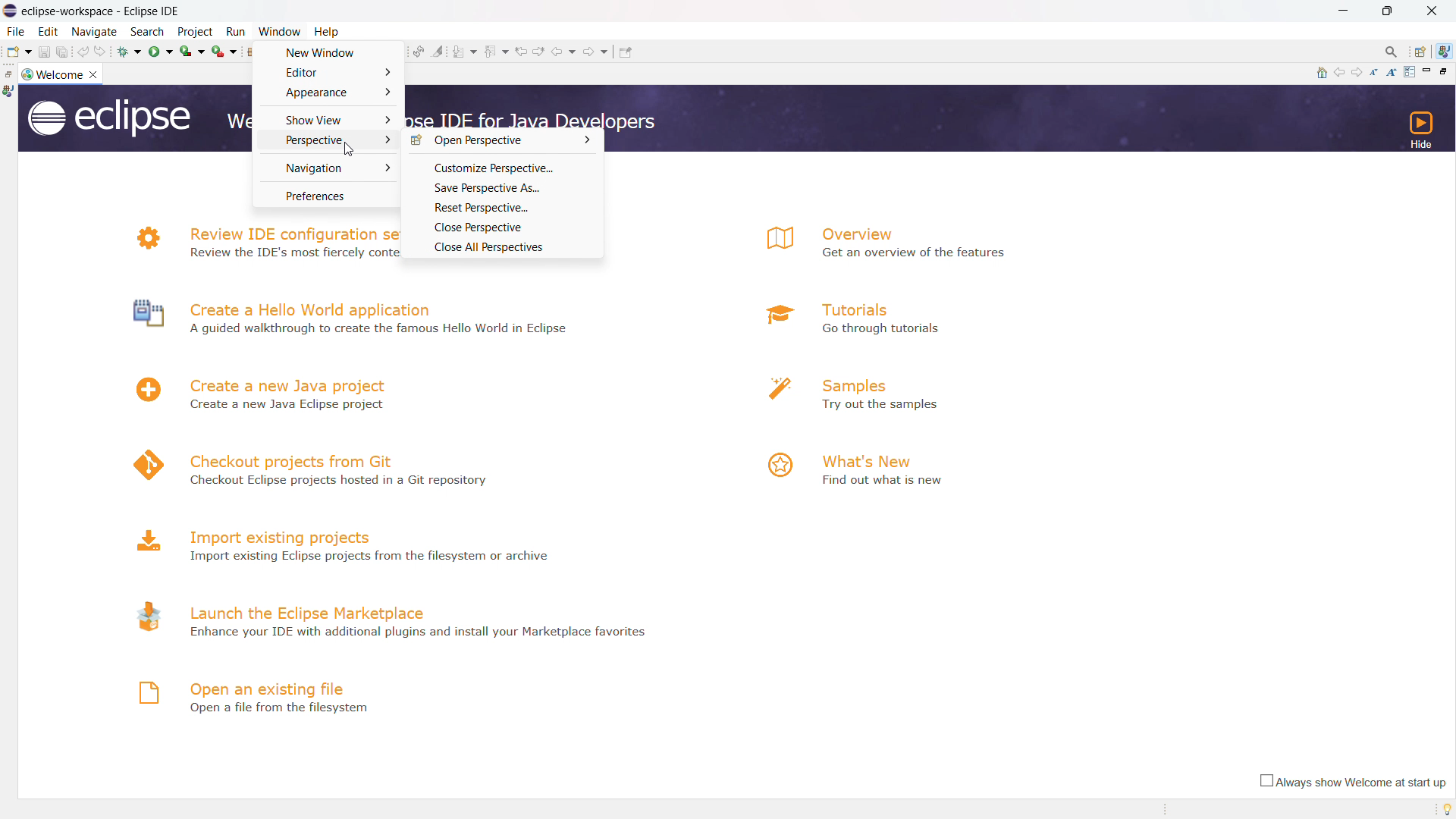 The width and height of the screenshot is (1456, 819). What do you see at coordinates (326, 72) in the screenshot?
I see `editor` at bounding box center [326, 72].